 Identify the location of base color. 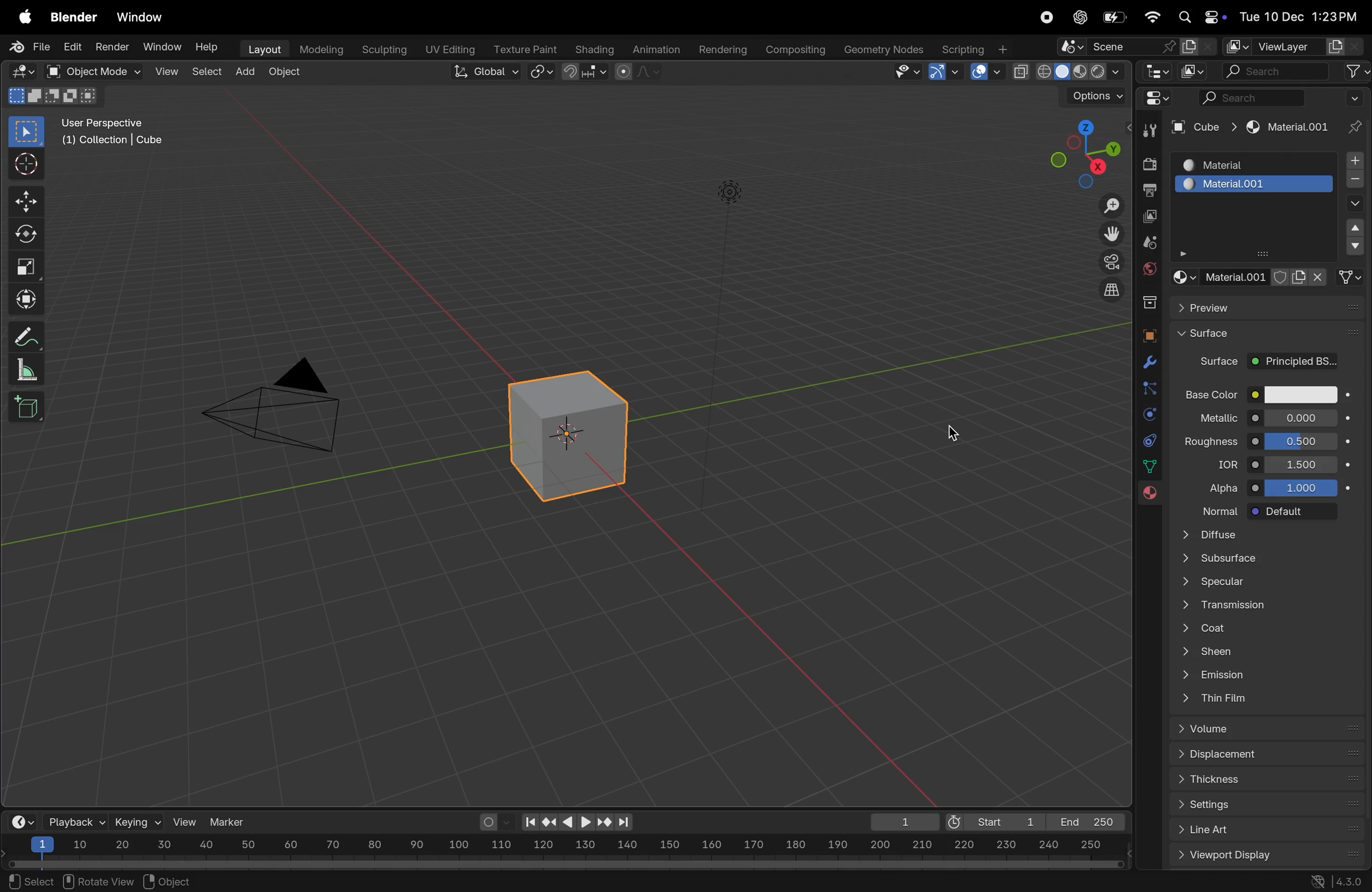
(1210, 392).